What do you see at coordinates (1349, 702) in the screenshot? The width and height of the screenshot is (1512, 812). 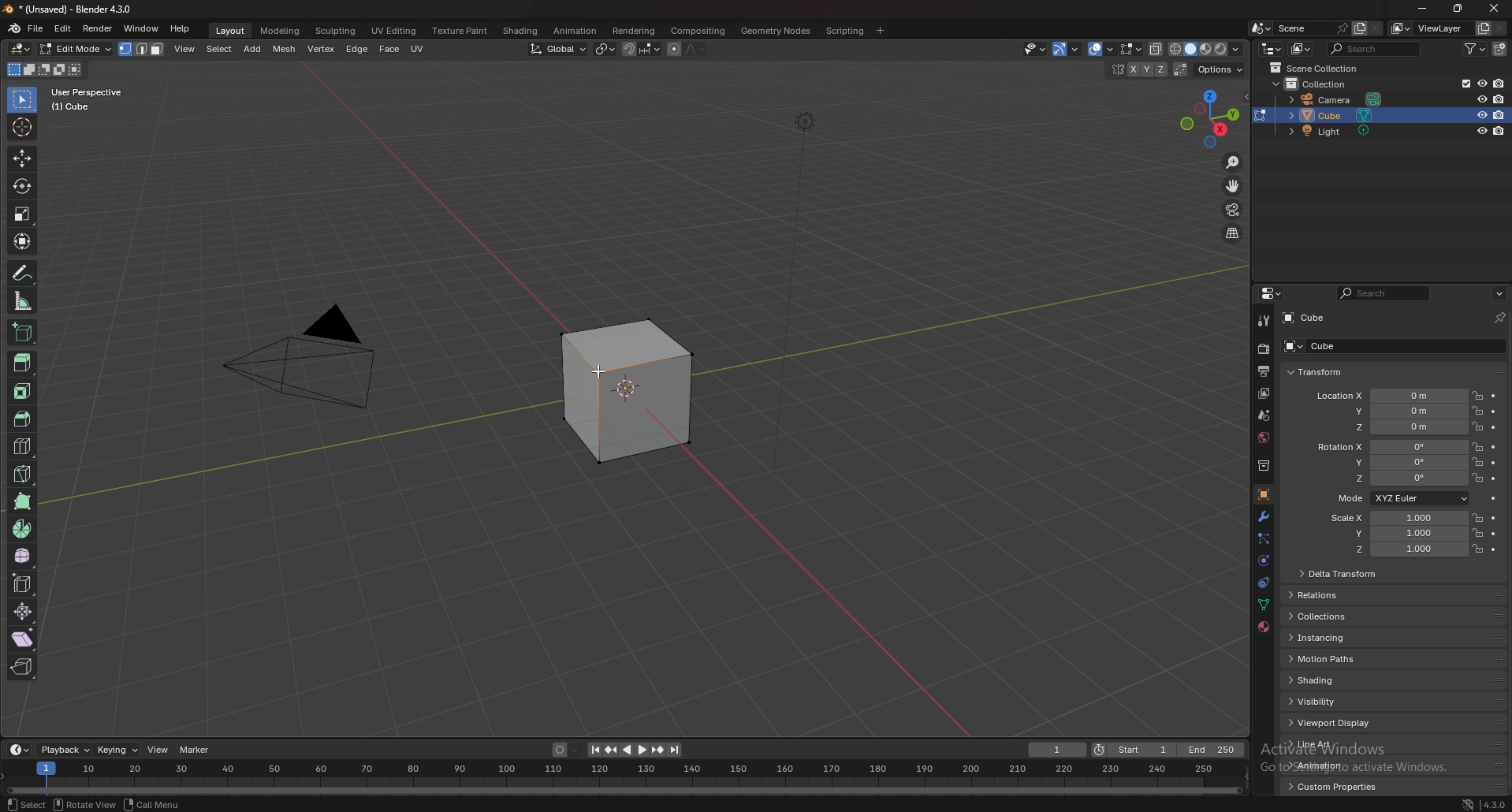 I see `visibility` at bounding box center [1349, 702].